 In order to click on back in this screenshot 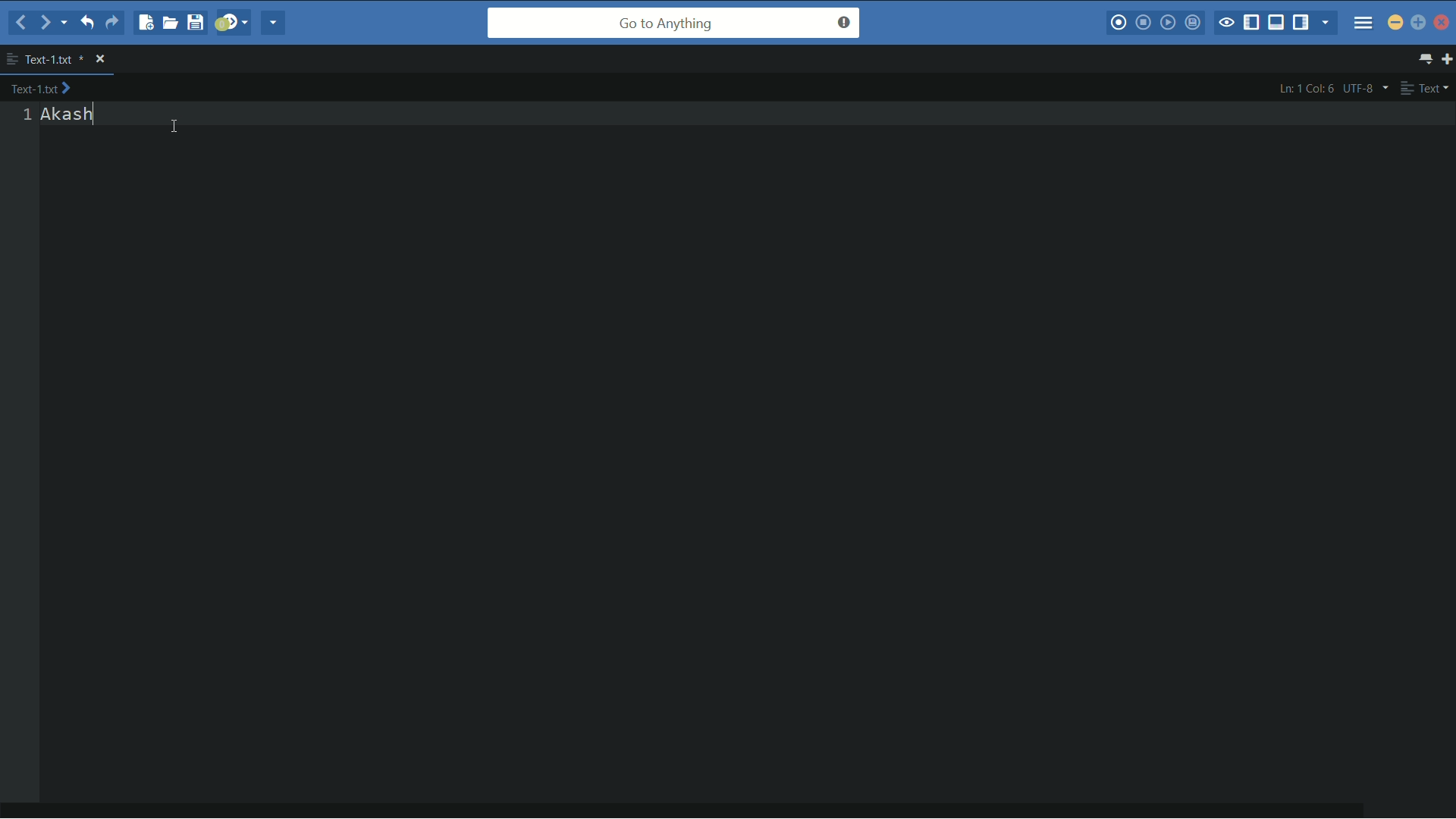, I will do `click(20, 23)`.